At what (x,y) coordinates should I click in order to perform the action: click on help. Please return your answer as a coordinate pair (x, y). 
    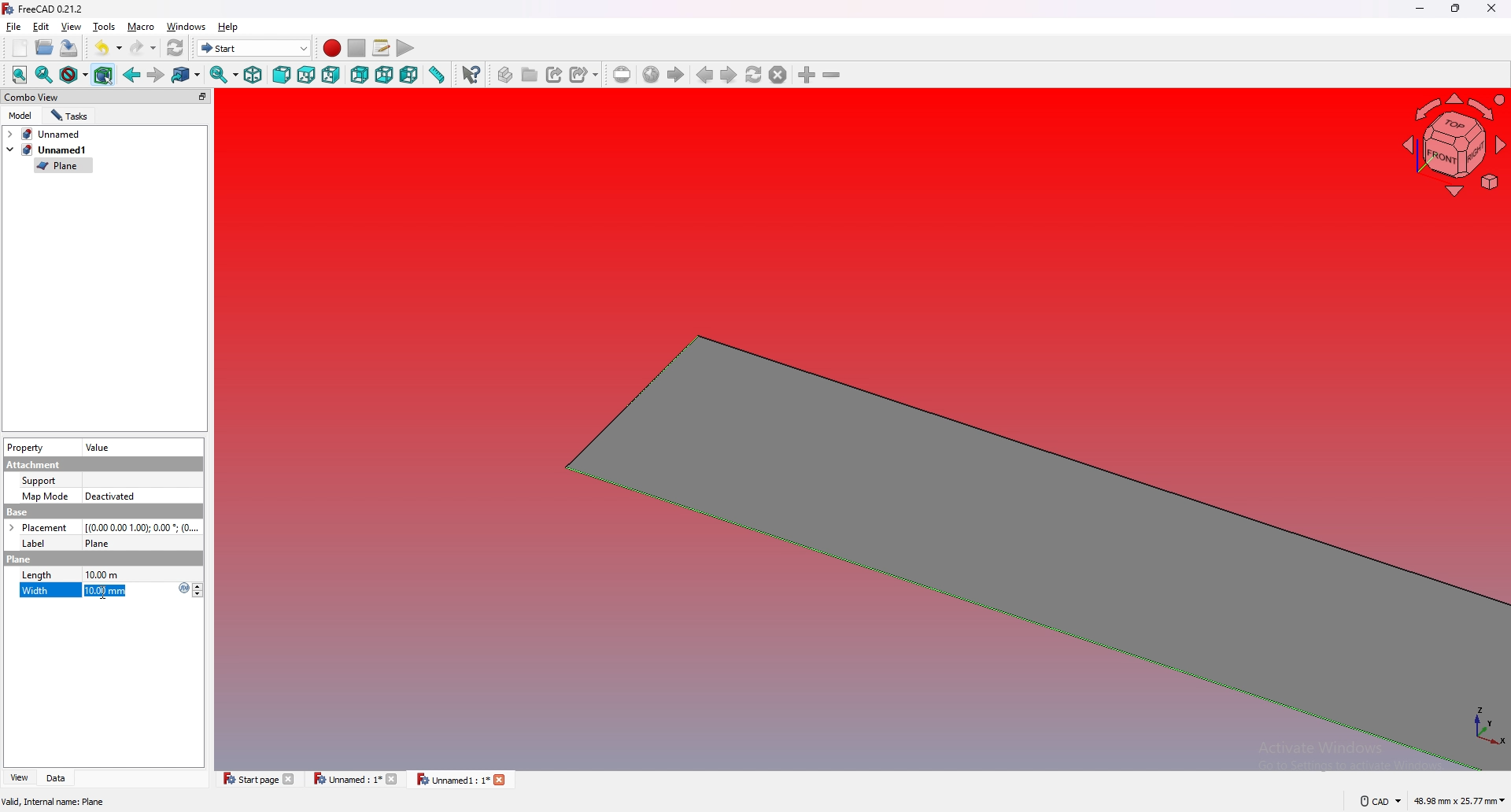
    Looking at the image, I should click on (229, 27).